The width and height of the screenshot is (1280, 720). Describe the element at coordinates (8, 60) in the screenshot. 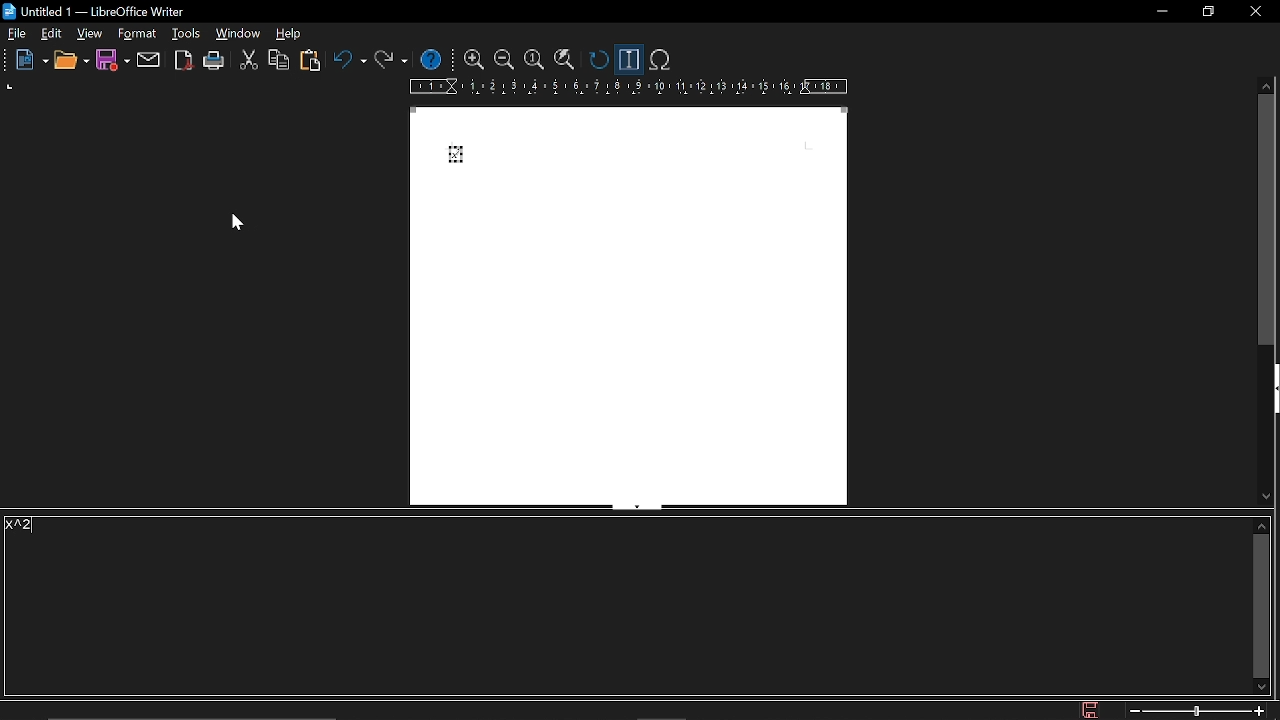

I see `` at that location.